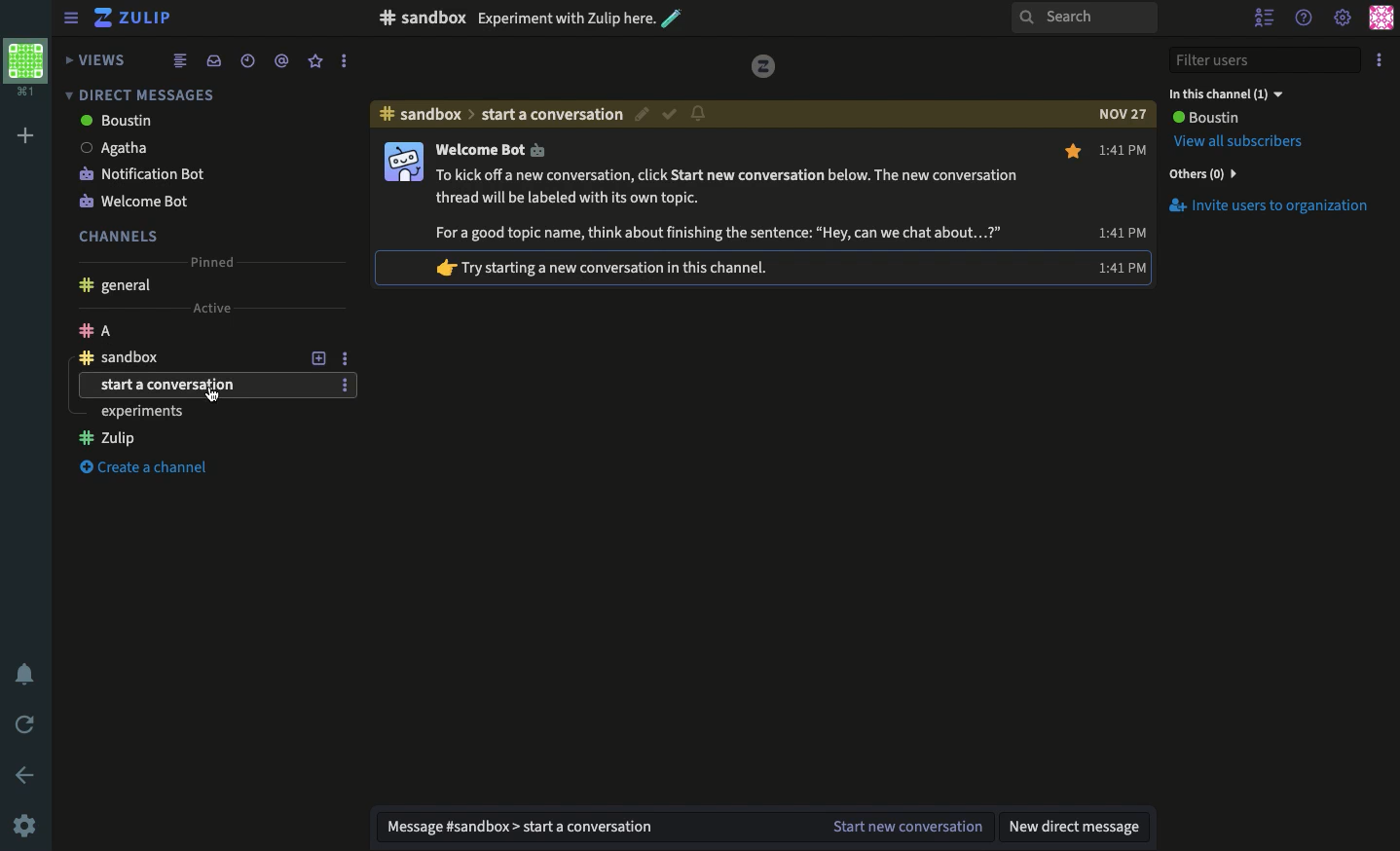  What do you see at coordinates (1200, 173) in the screenshot?
I see `Others` at bounding box center [1200, 173].